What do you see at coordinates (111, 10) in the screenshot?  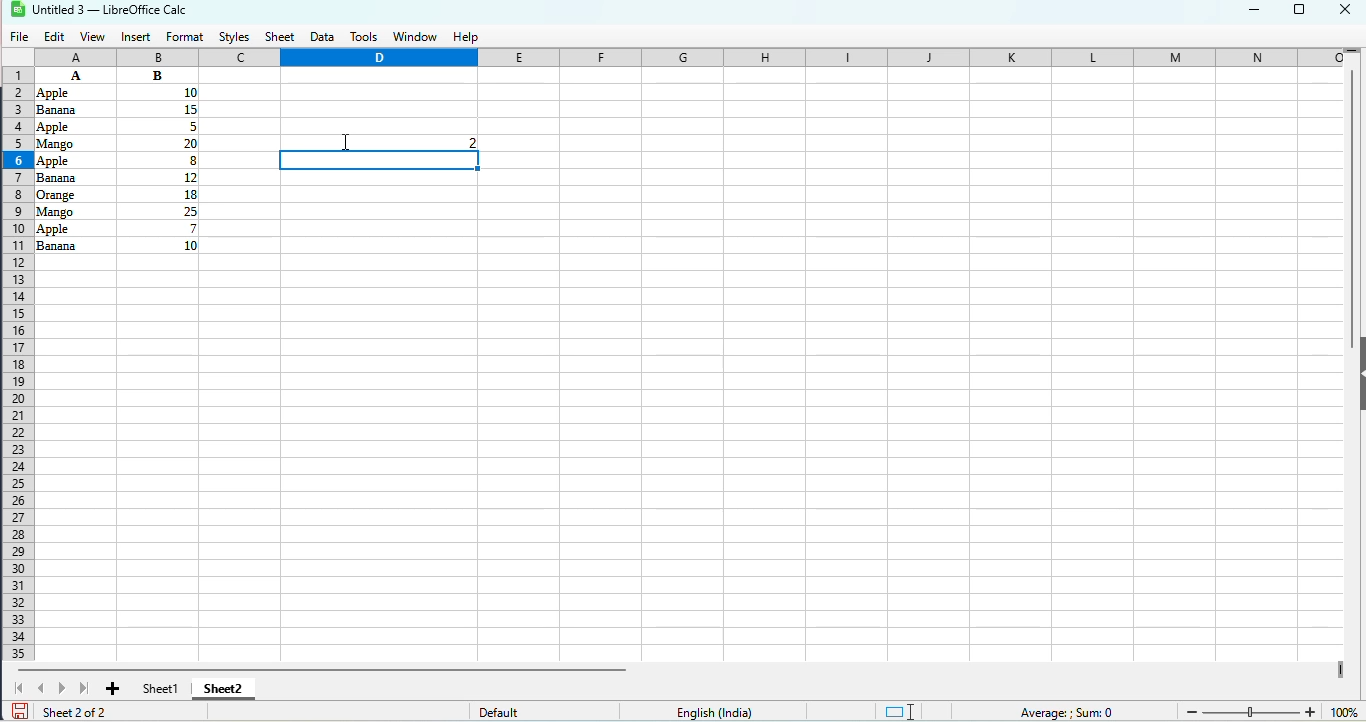 I see `title` at bounding box center [111, 10].